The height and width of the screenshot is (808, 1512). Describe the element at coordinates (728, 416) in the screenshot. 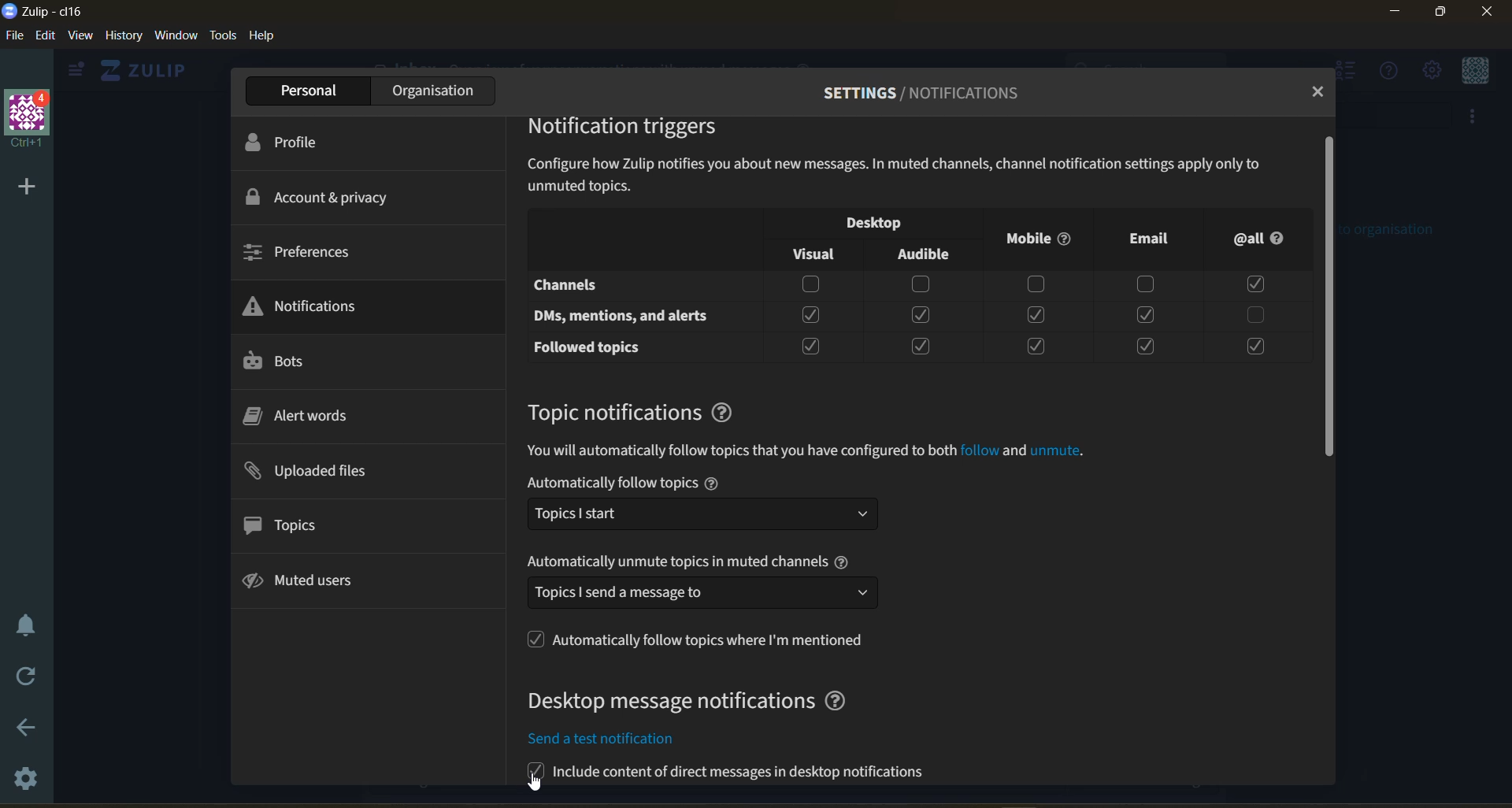

I see `question mark logo` at that location.